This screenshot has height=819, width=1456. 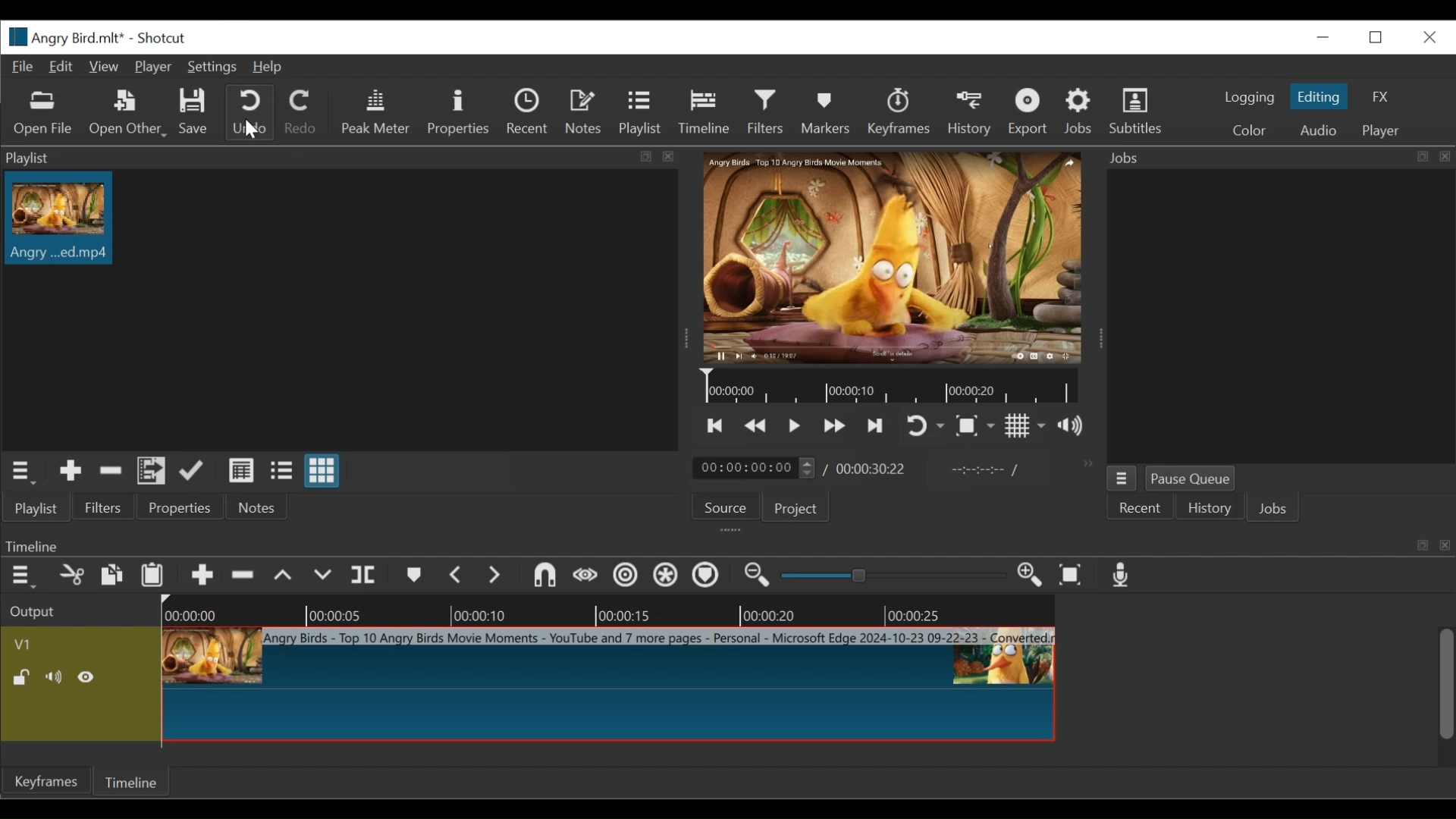 I want to click on Skip to the next point, so click(x=717, y=425).